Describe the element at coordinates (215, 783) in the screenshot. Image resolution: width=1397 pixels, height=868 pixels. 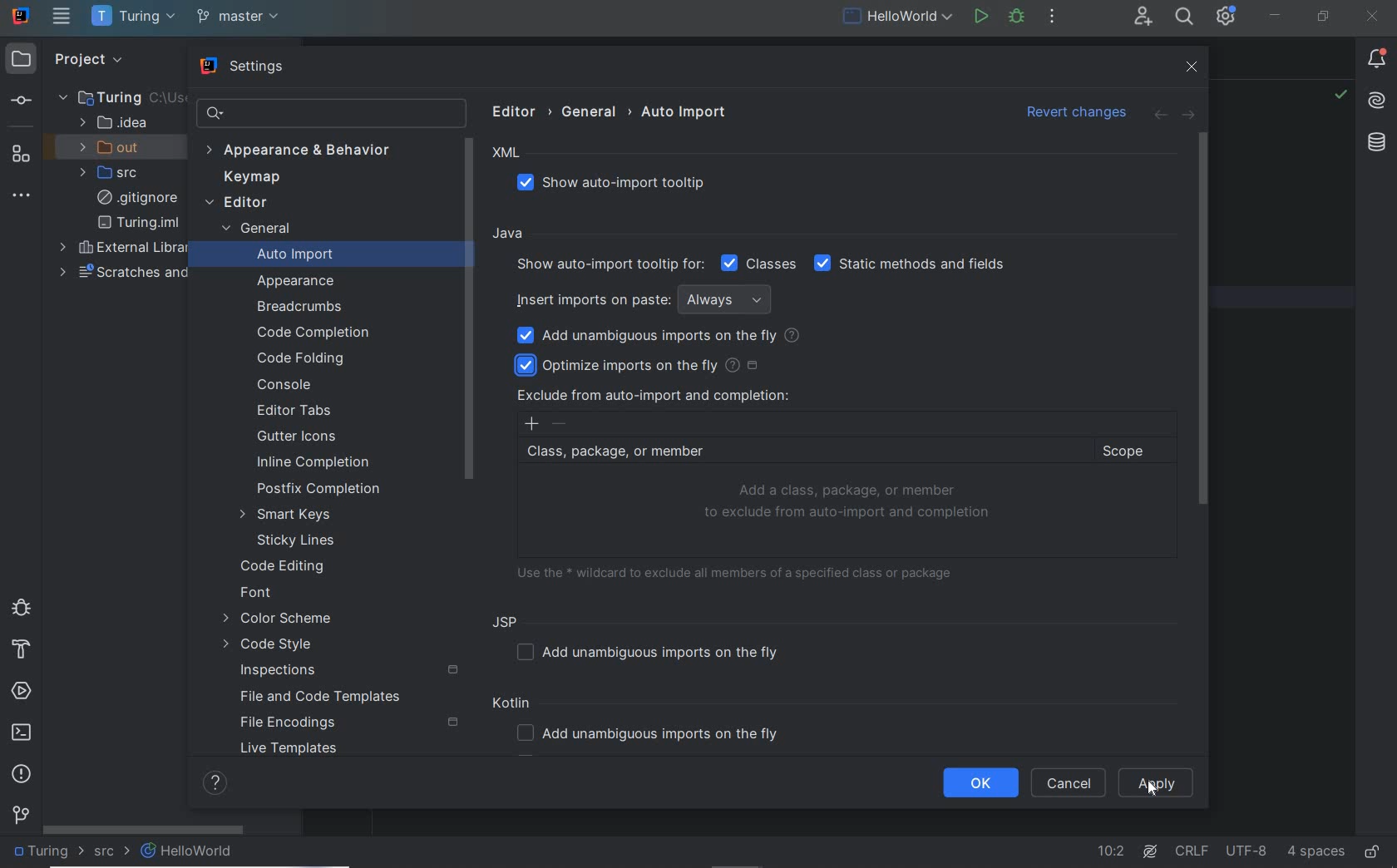
I see `SHOW HELP CONTENTS` at that location.